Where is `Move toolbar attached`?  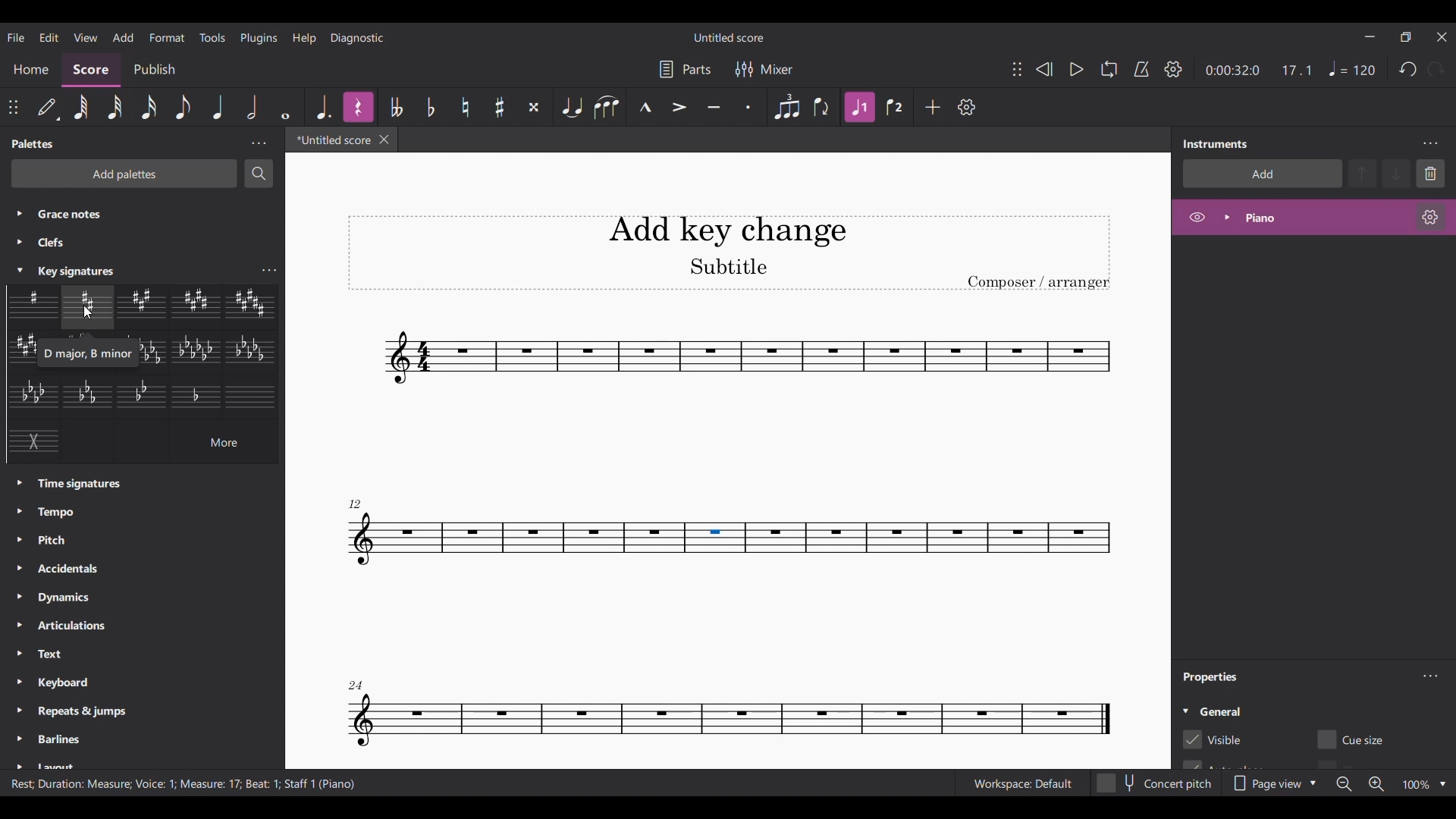
Move toolbar attached is located at coordinates (13, 108).